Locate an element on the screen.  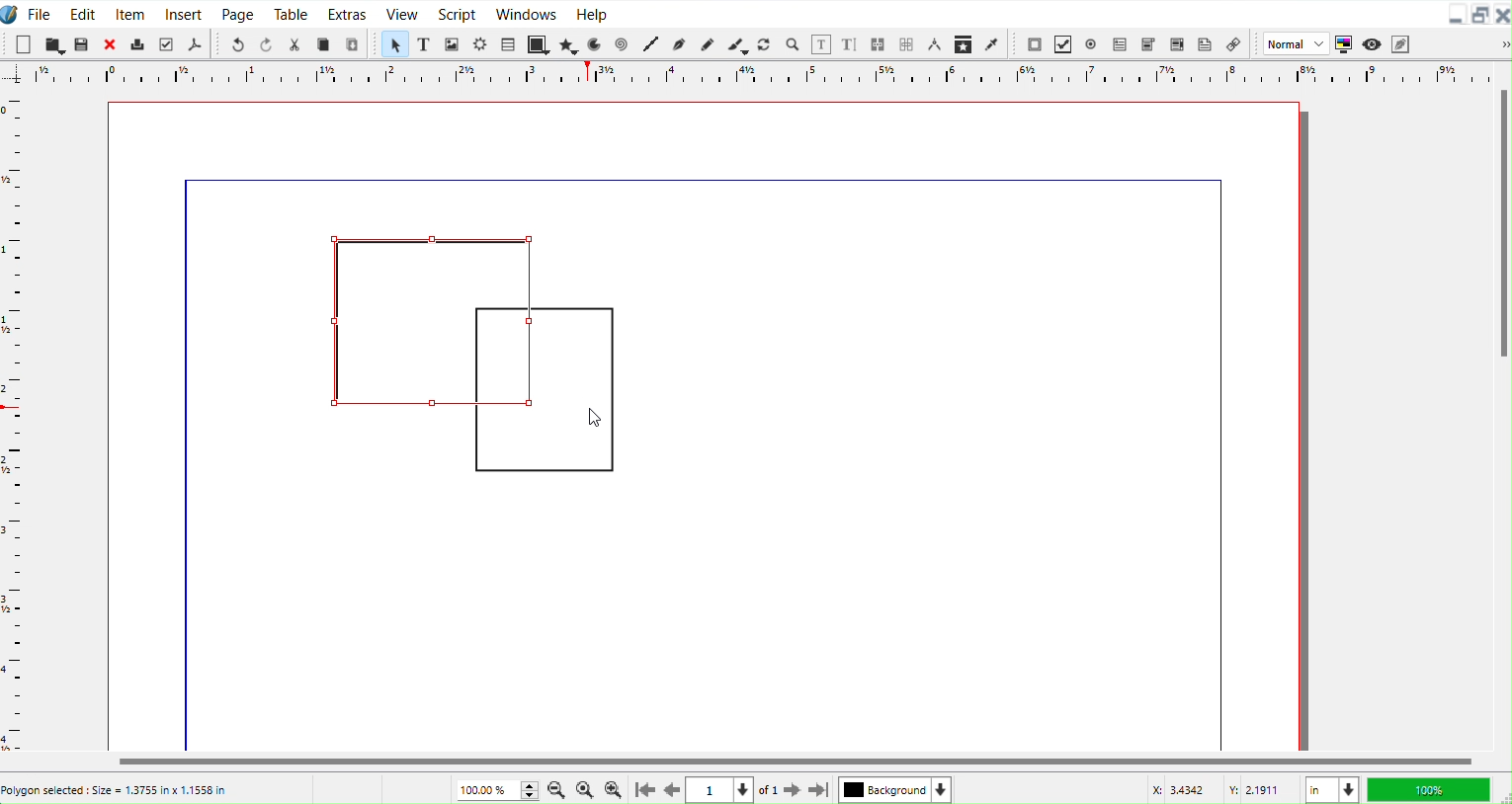
Cut is located at coordinates (294, 42).